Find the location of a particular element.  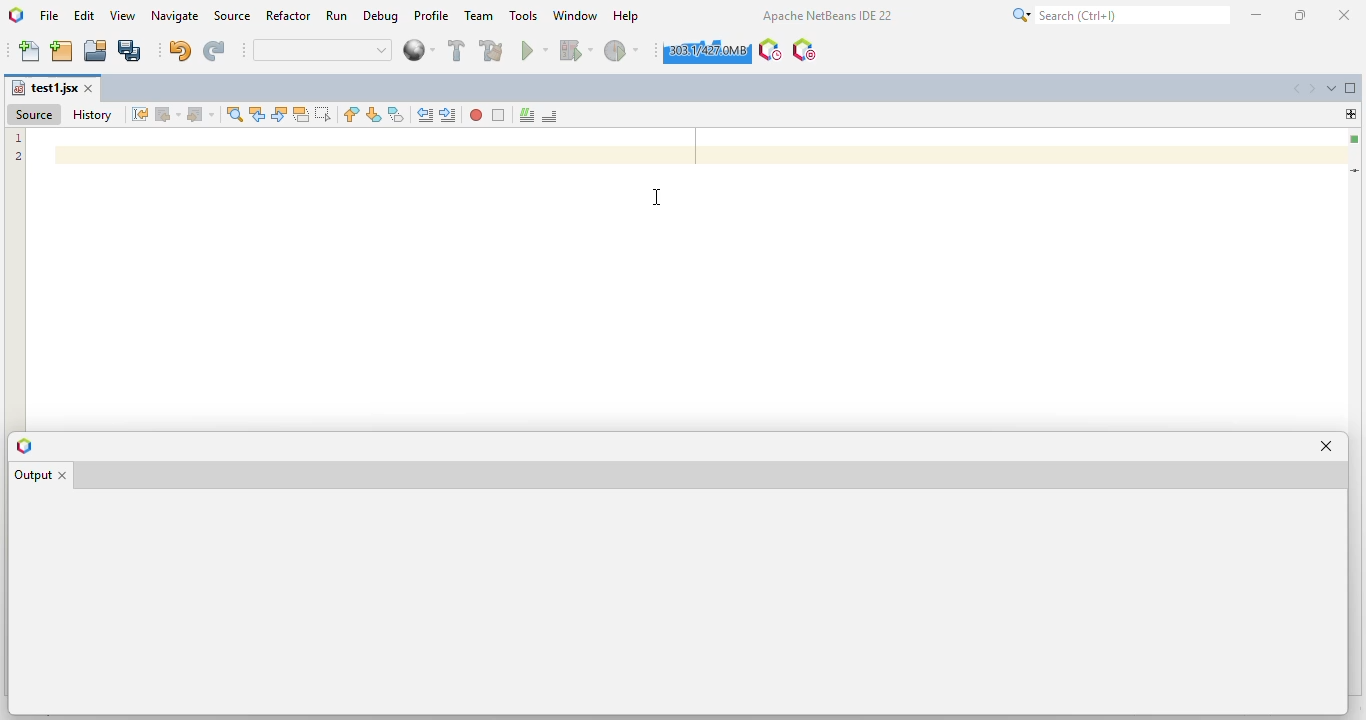

build project is located at coordinates (457, 50).